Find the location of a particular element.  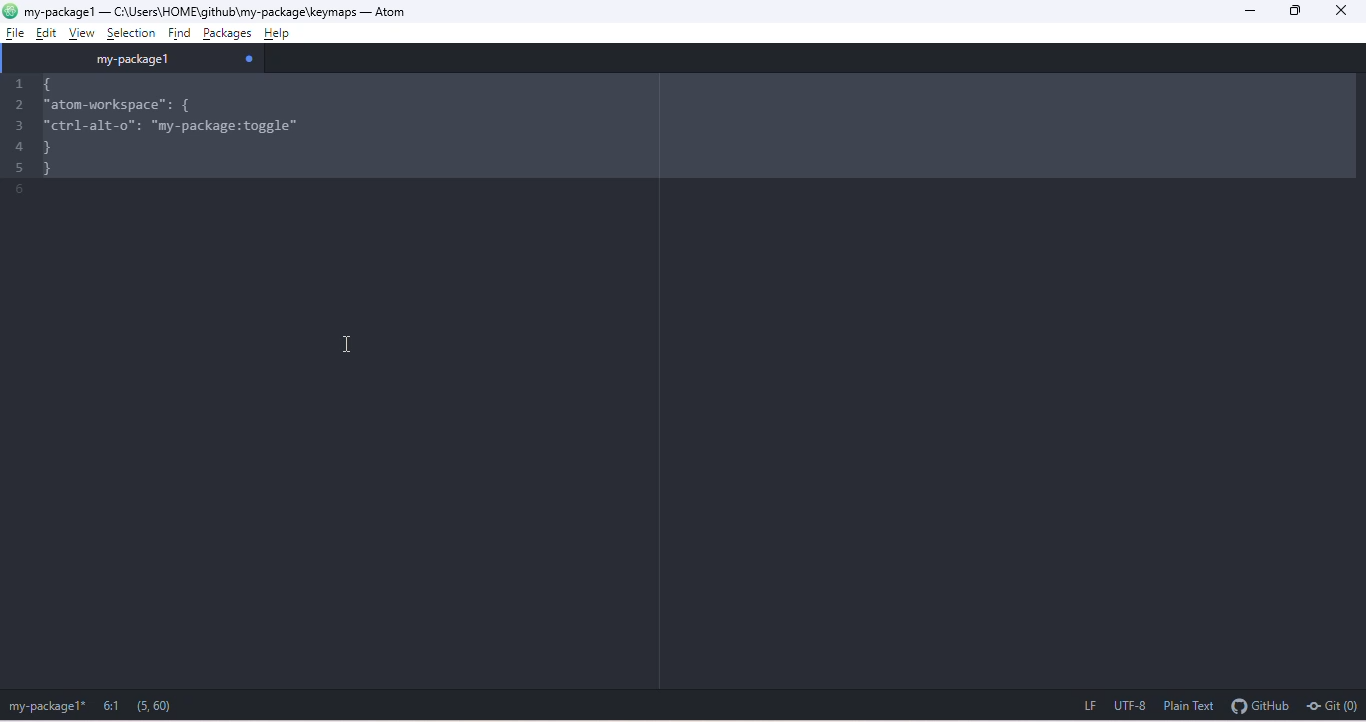

plain text is located at coordinates (1191, 707).